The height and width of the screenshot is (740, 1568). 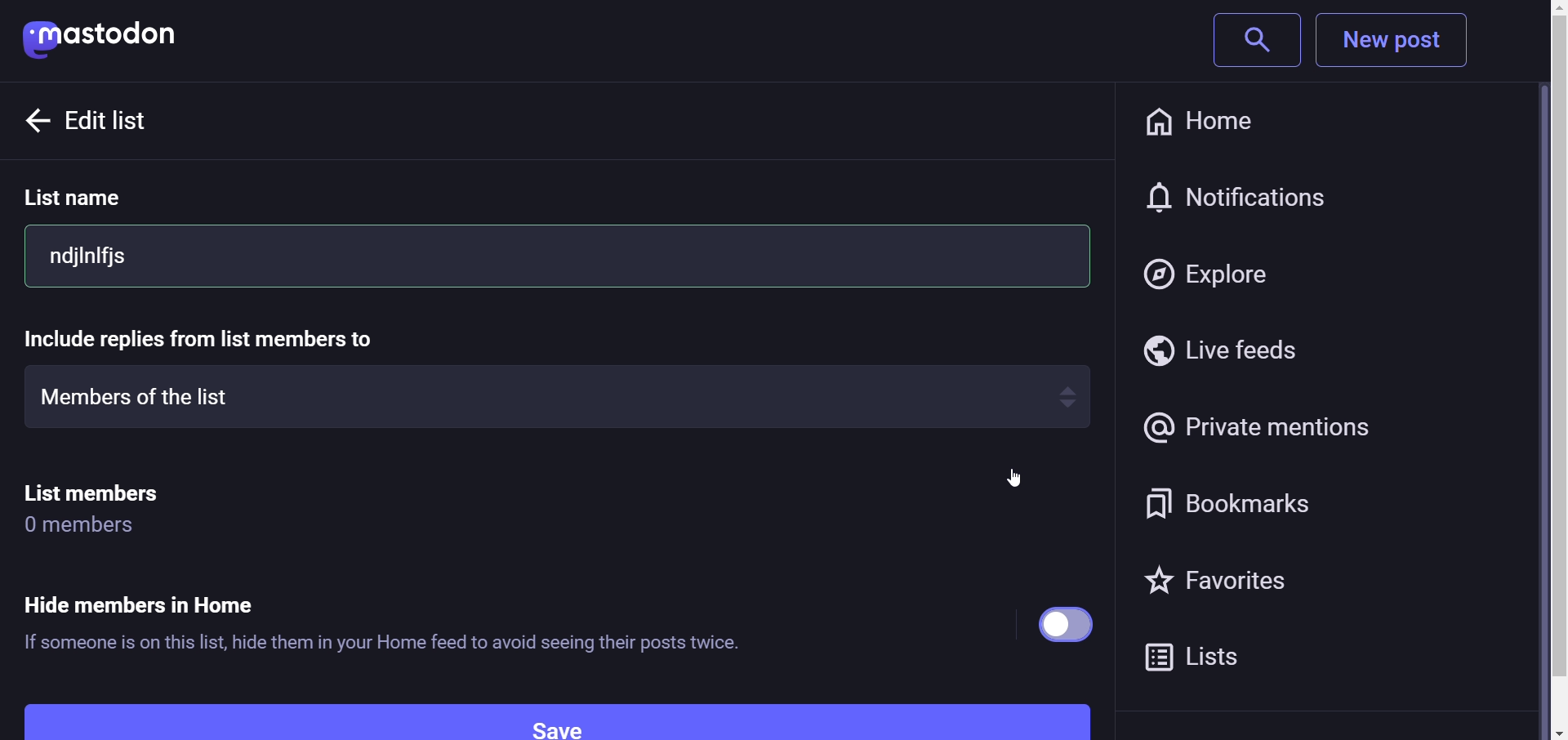 I want to click on home, so click(x=1214, y=121).